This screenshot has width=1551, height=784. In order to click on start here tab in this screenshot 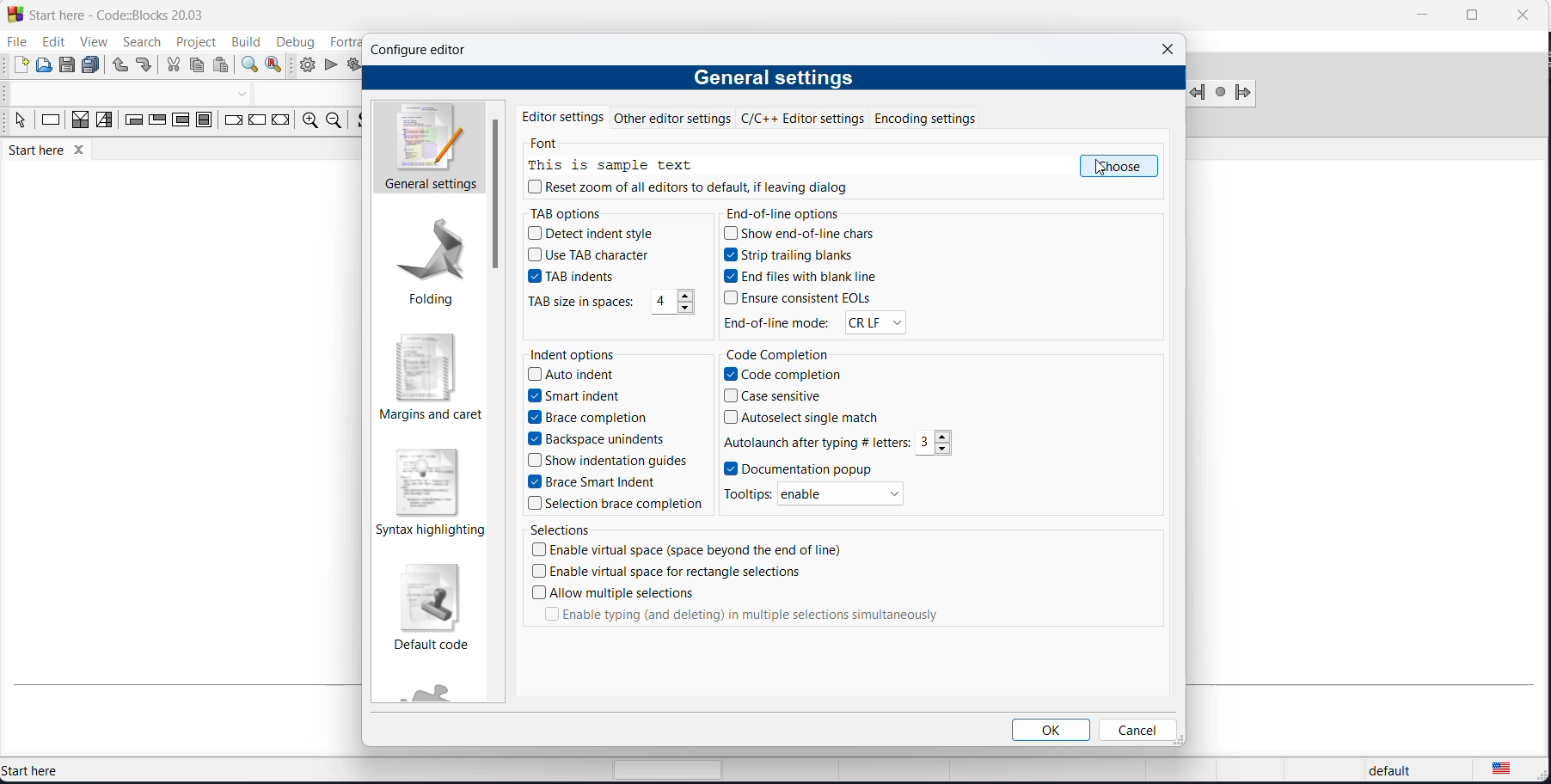, I will do `click(58, 153)`.